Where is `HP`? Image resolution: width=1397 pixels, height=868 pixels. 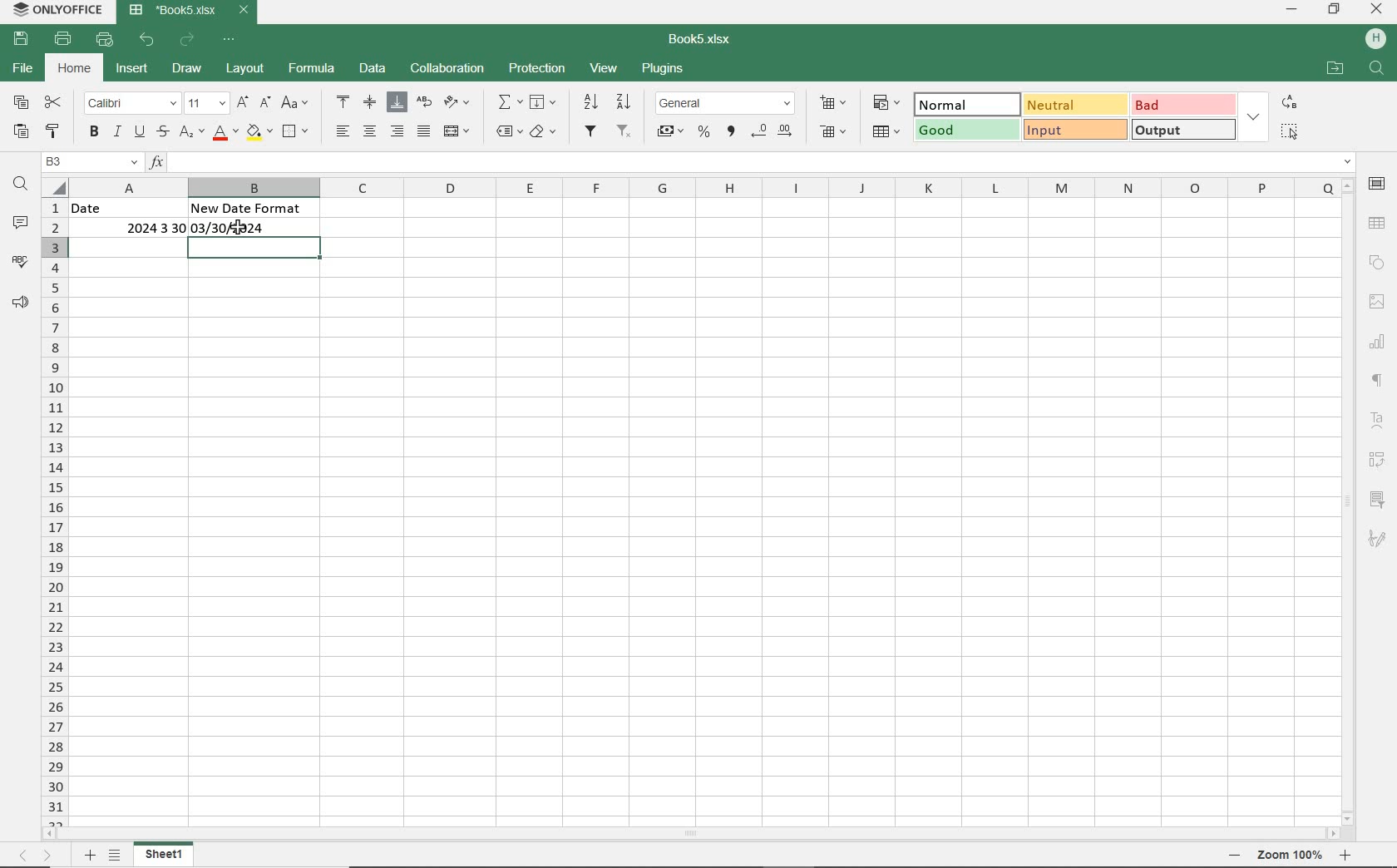 HP is located at coordinates (1374, 39).